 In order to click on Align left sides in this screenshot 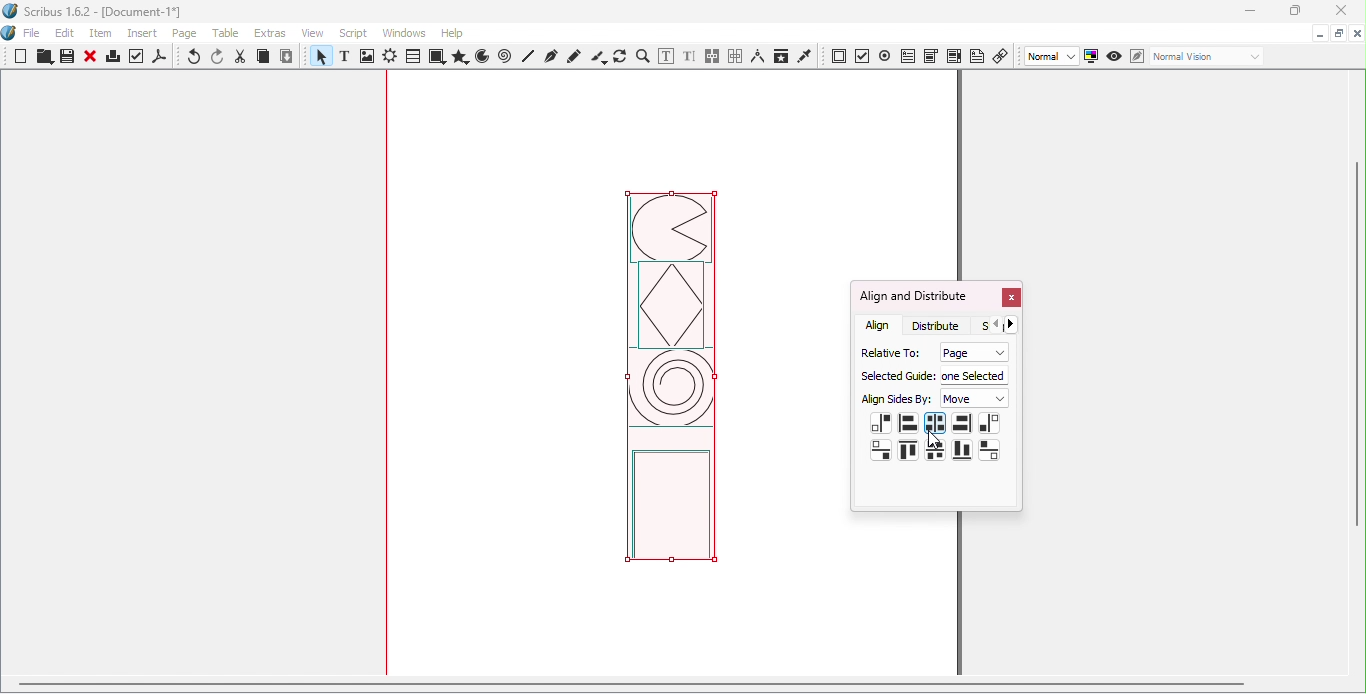, I will do `click(908, 421)`.